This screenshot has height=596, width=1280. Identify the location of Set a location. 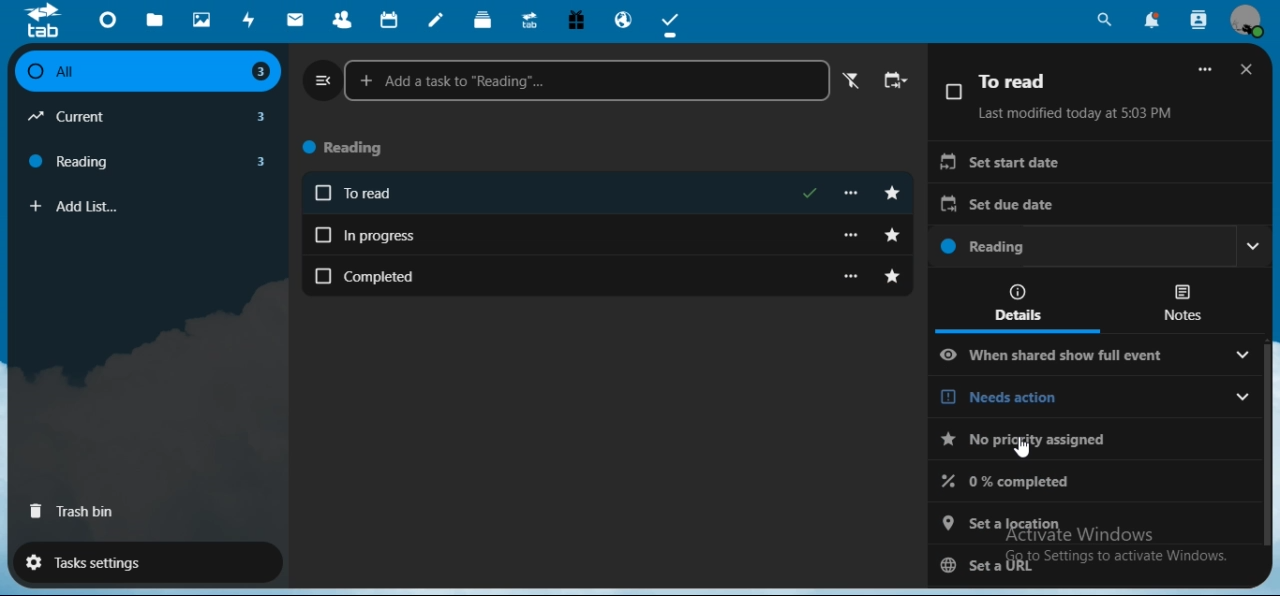
(1093, 522).